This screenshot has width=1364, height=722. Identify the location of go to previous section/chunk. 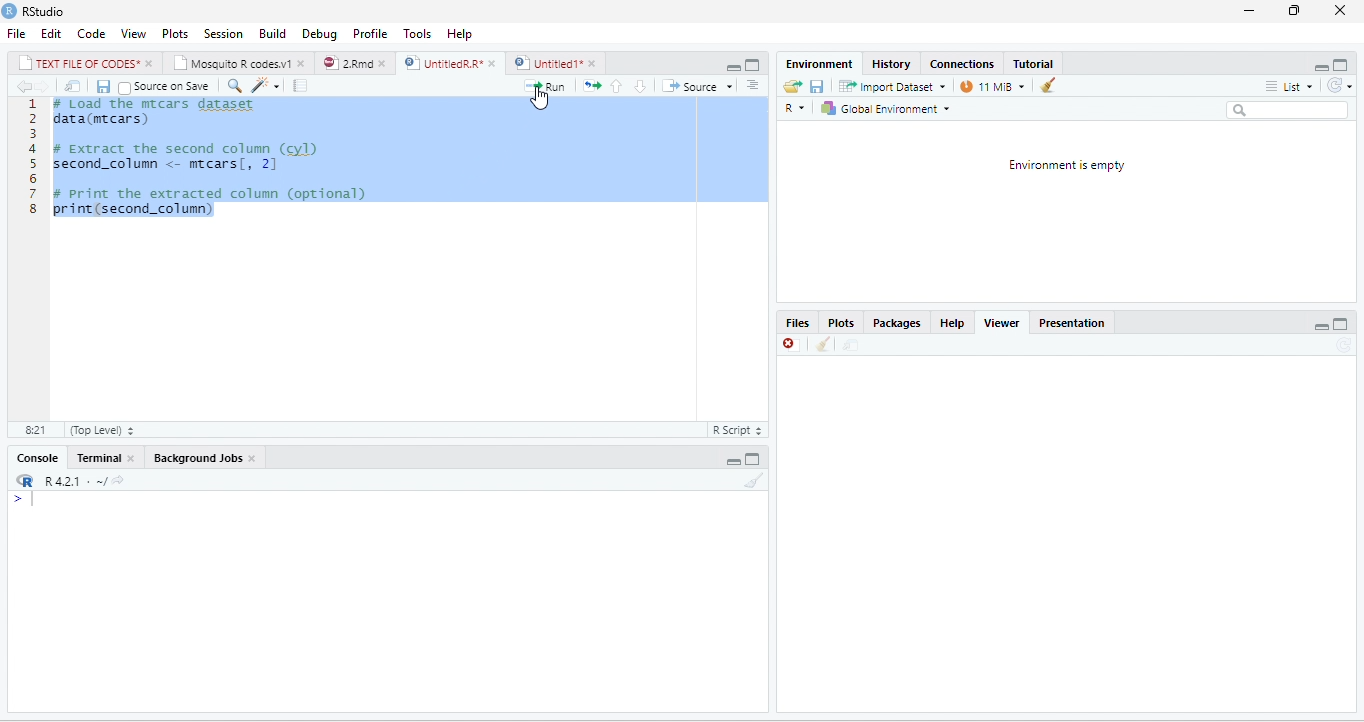
(616, 85).